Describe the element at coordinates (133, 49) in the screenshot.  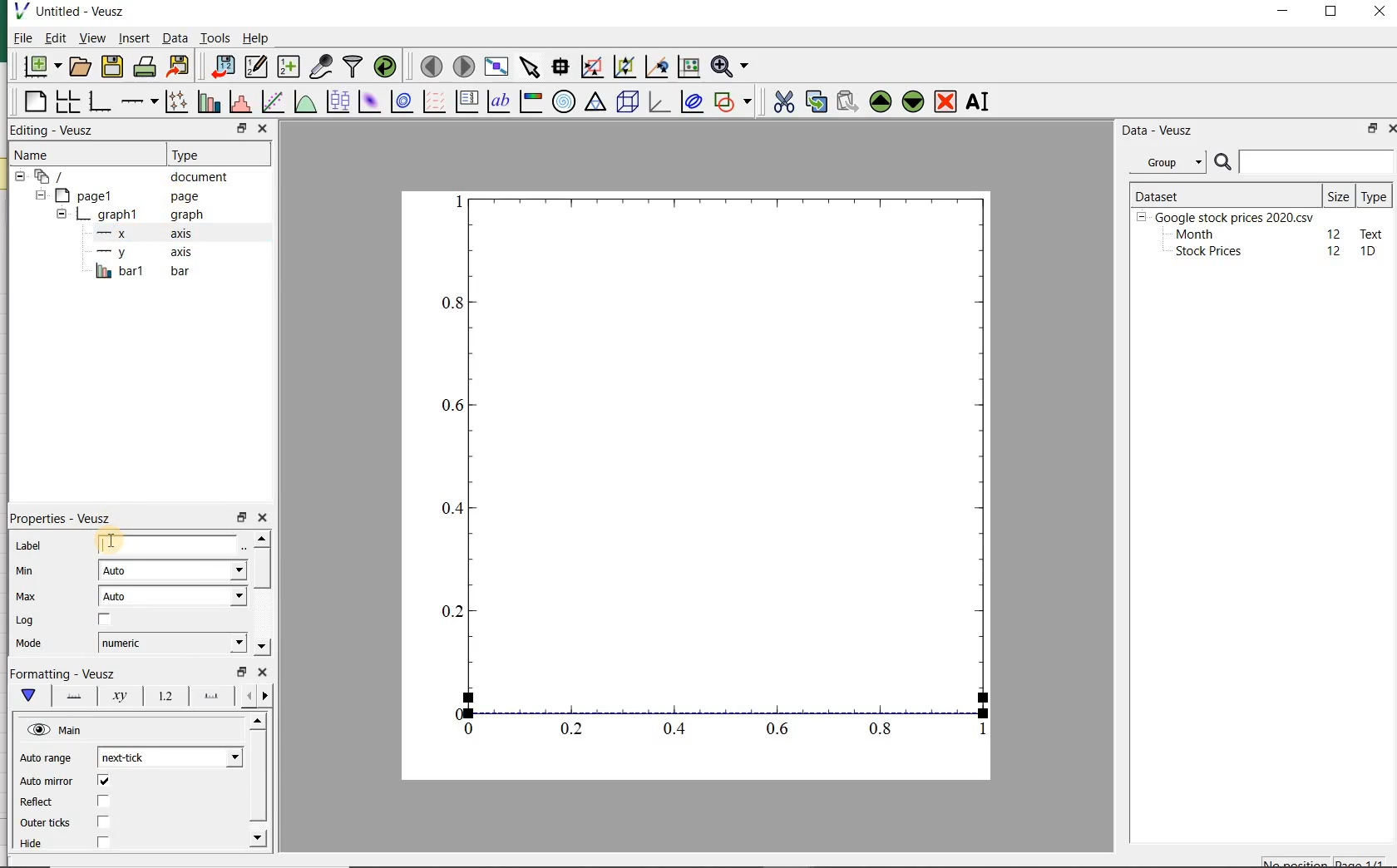
I see `cursor` at that location.